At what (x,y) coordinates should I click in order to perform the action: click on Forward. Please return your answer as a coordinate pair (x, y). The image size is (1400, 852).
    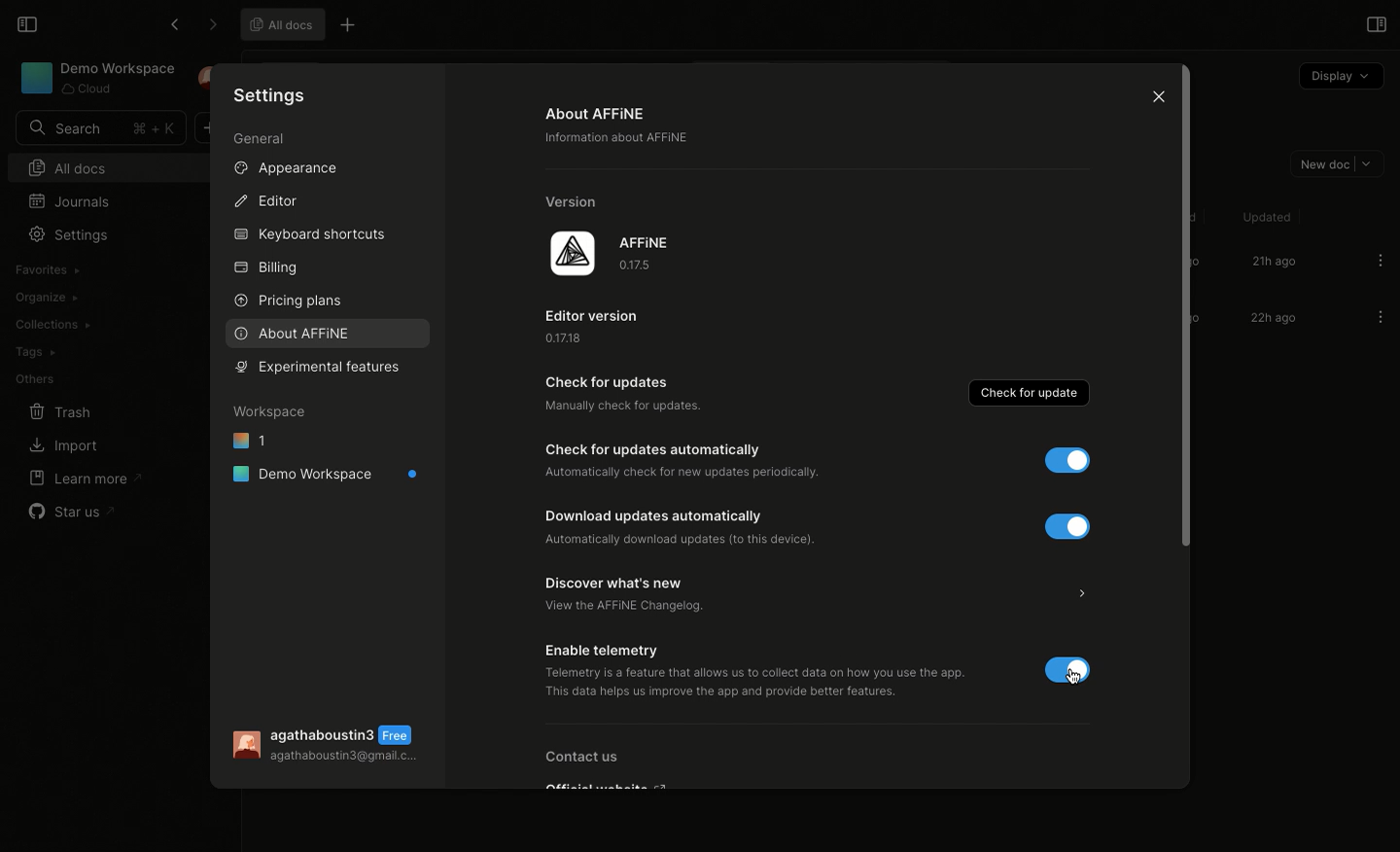
    Looking at the image, I should click on (212, 25).